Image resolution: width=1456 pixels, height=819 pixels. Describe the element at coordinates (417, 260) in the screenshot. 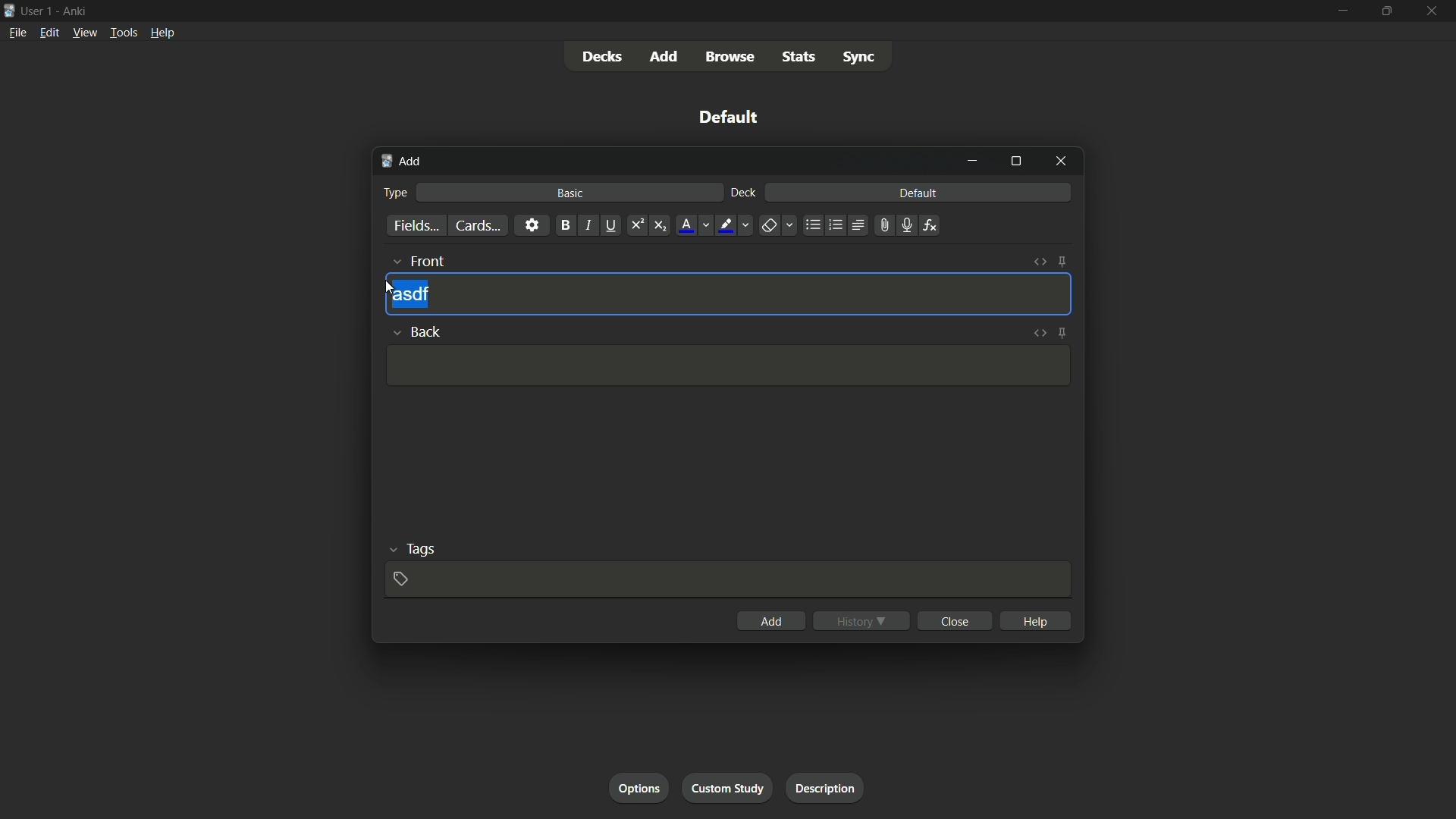

I see `front` at that location.